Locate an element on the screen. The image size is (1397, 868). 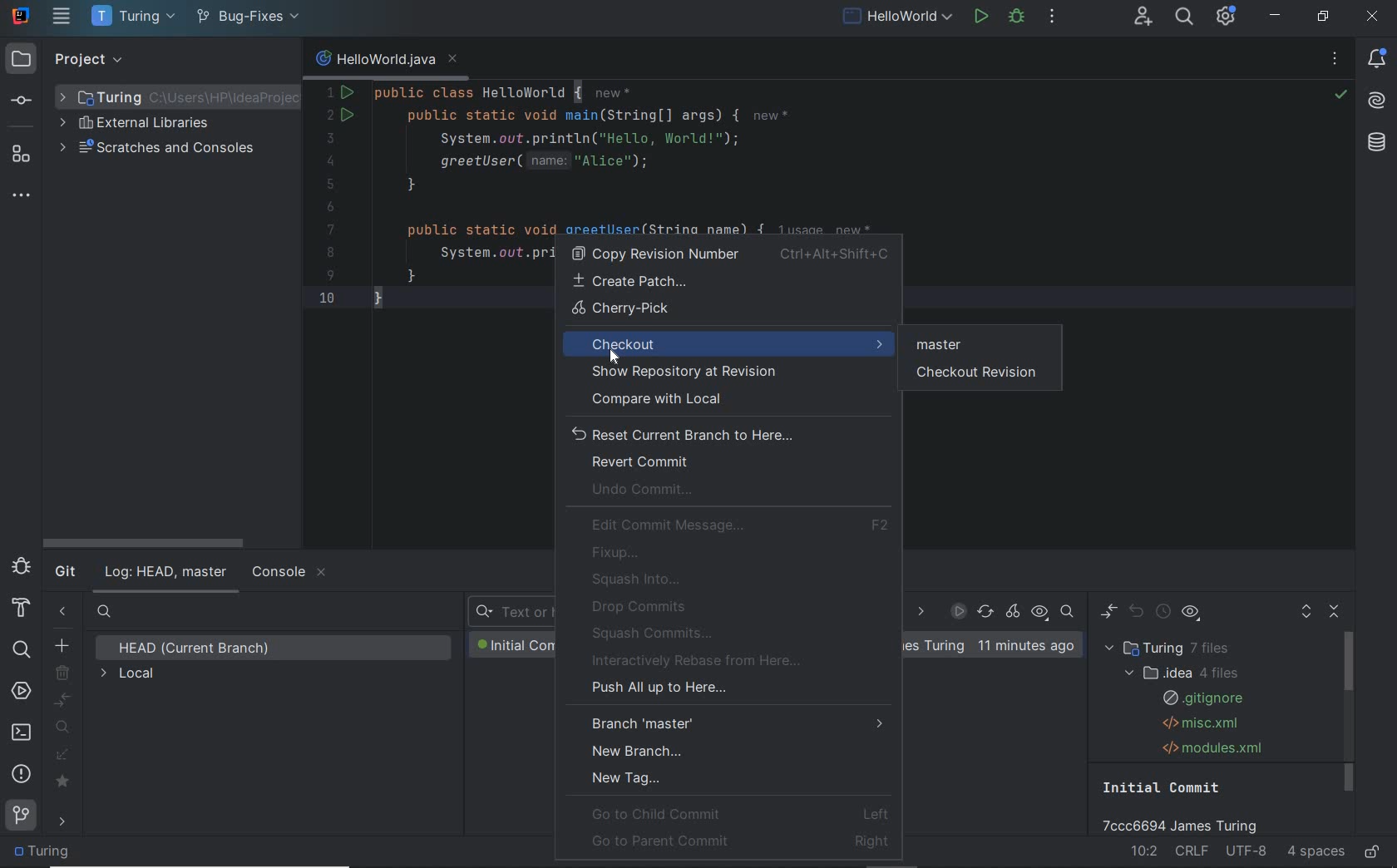
options is located at coordinates (252, 61).